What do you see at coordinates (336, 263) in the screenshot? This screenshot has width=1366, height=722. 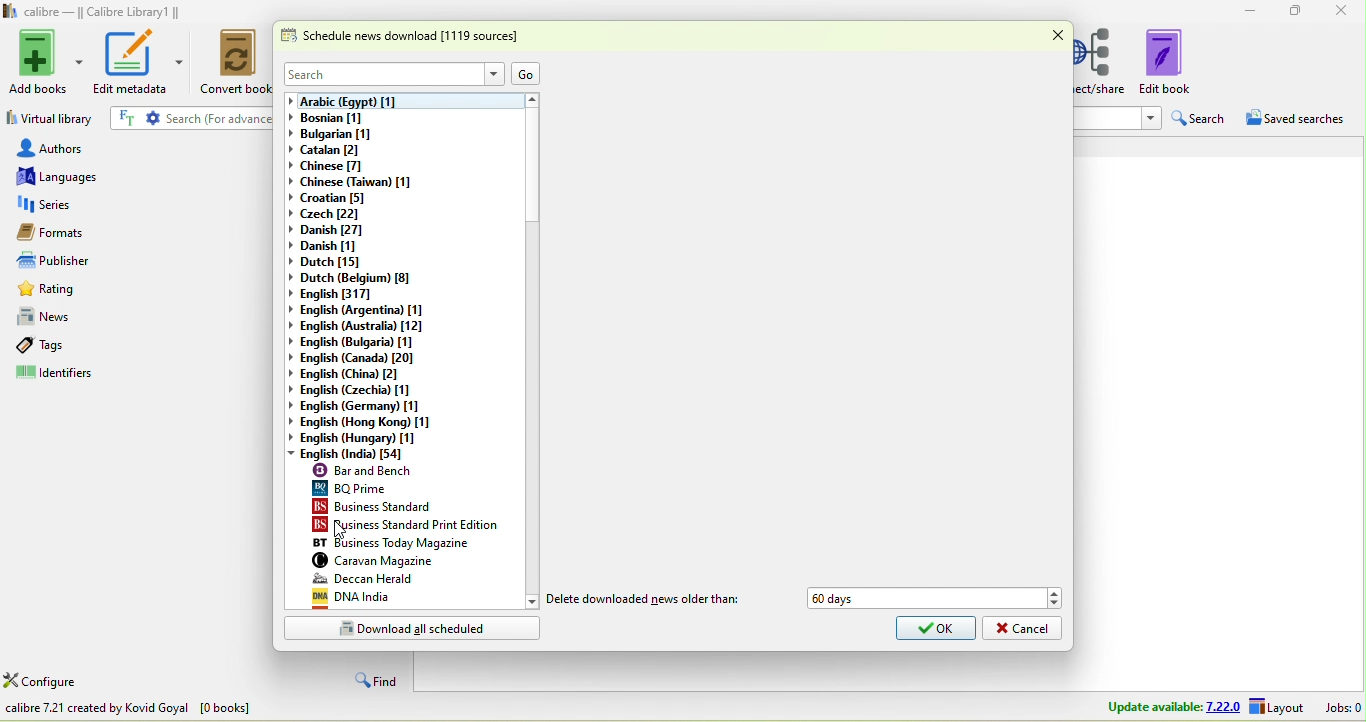 I see `dutch[15]` at bounding box center [336, 263].